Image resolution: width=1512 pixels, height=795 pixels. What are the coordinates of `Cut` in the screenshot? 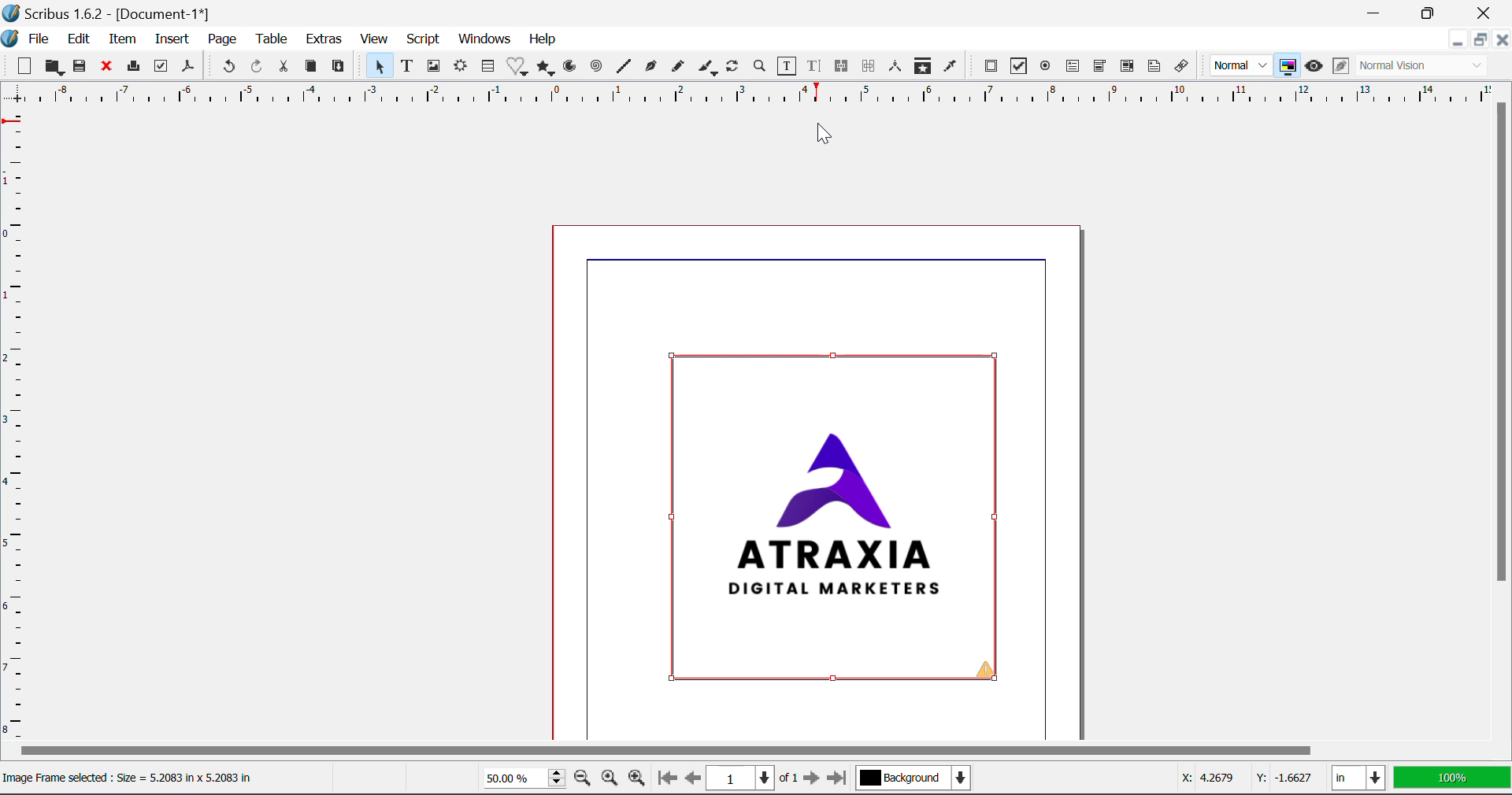 It's located at (283, 67).